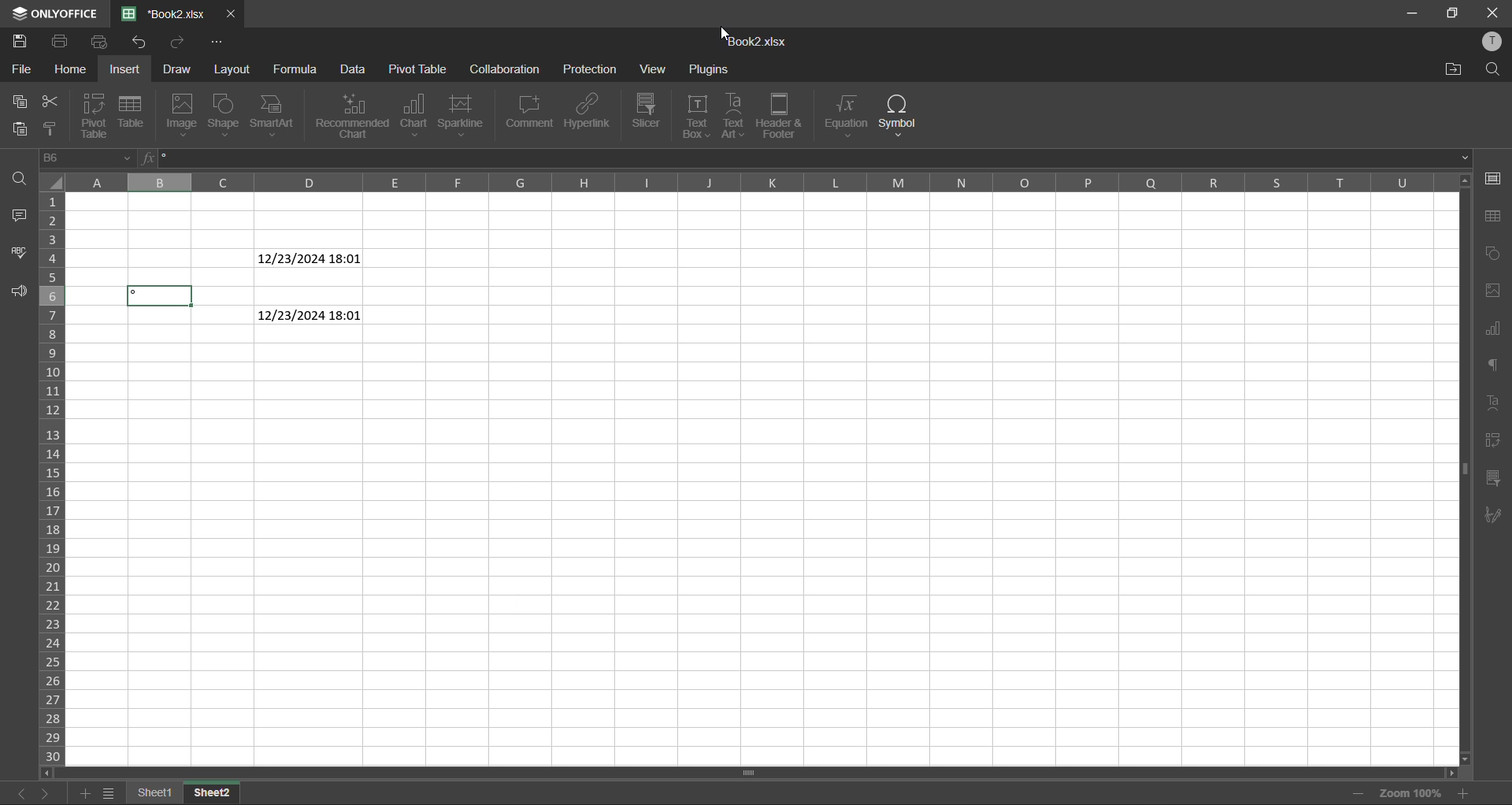  Describe the element at coordinates (1495, 332) in the screenshot. I see `charts` at that location.